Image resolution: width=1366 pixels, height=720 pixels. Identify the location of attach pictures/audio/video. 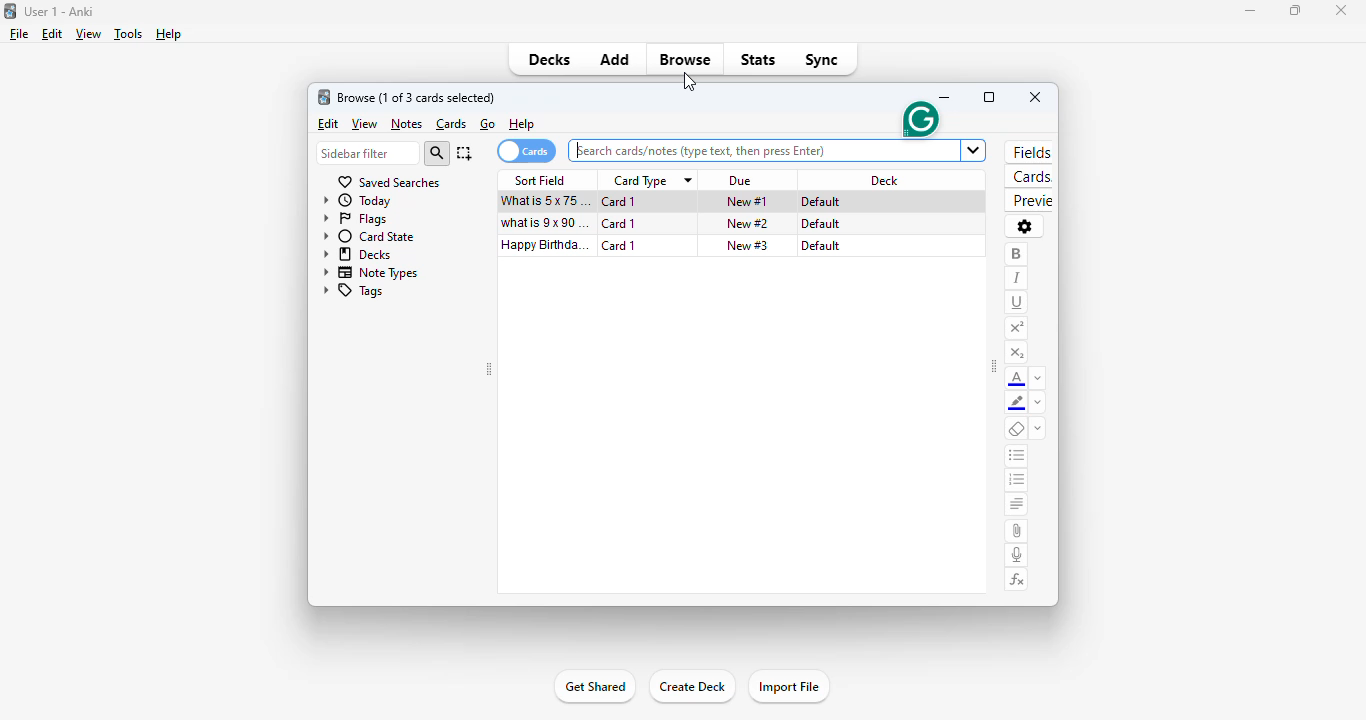
(1016, 532).